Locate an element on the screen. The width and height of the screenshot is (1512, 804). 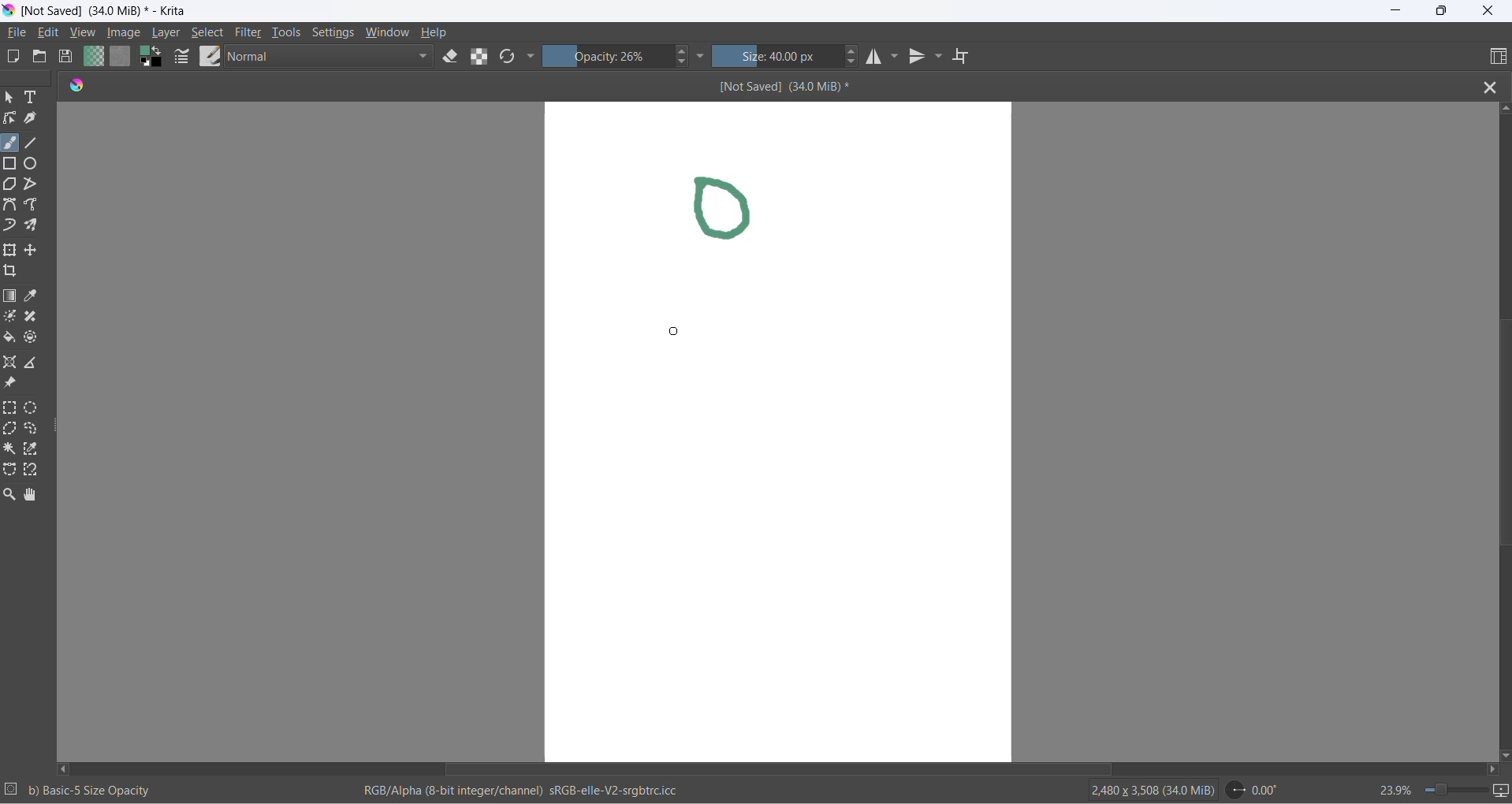
save document is located at coordinates (68, 56).